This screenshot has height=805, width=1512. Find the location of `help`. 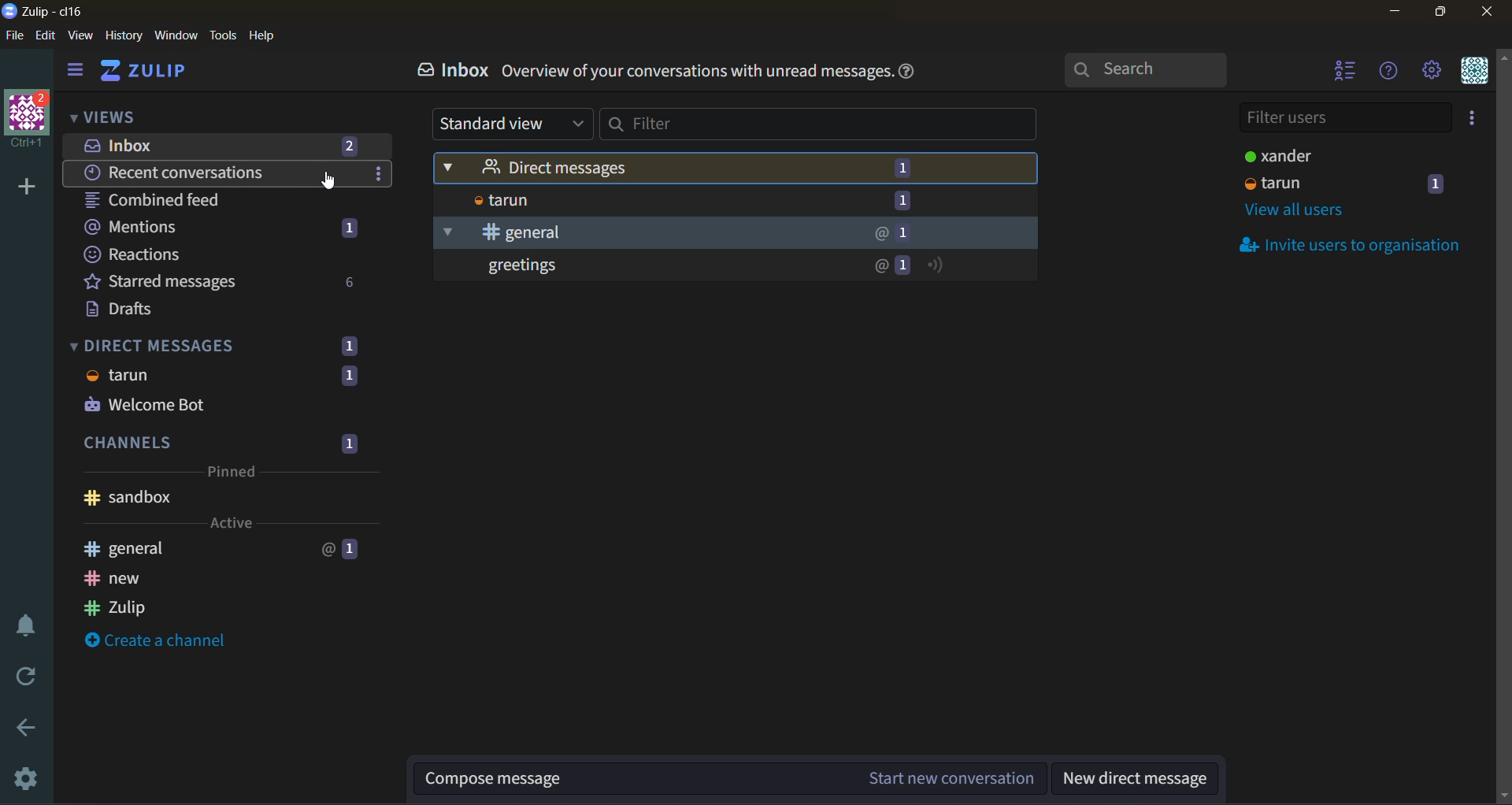

help is located at coordinates (263, 36).